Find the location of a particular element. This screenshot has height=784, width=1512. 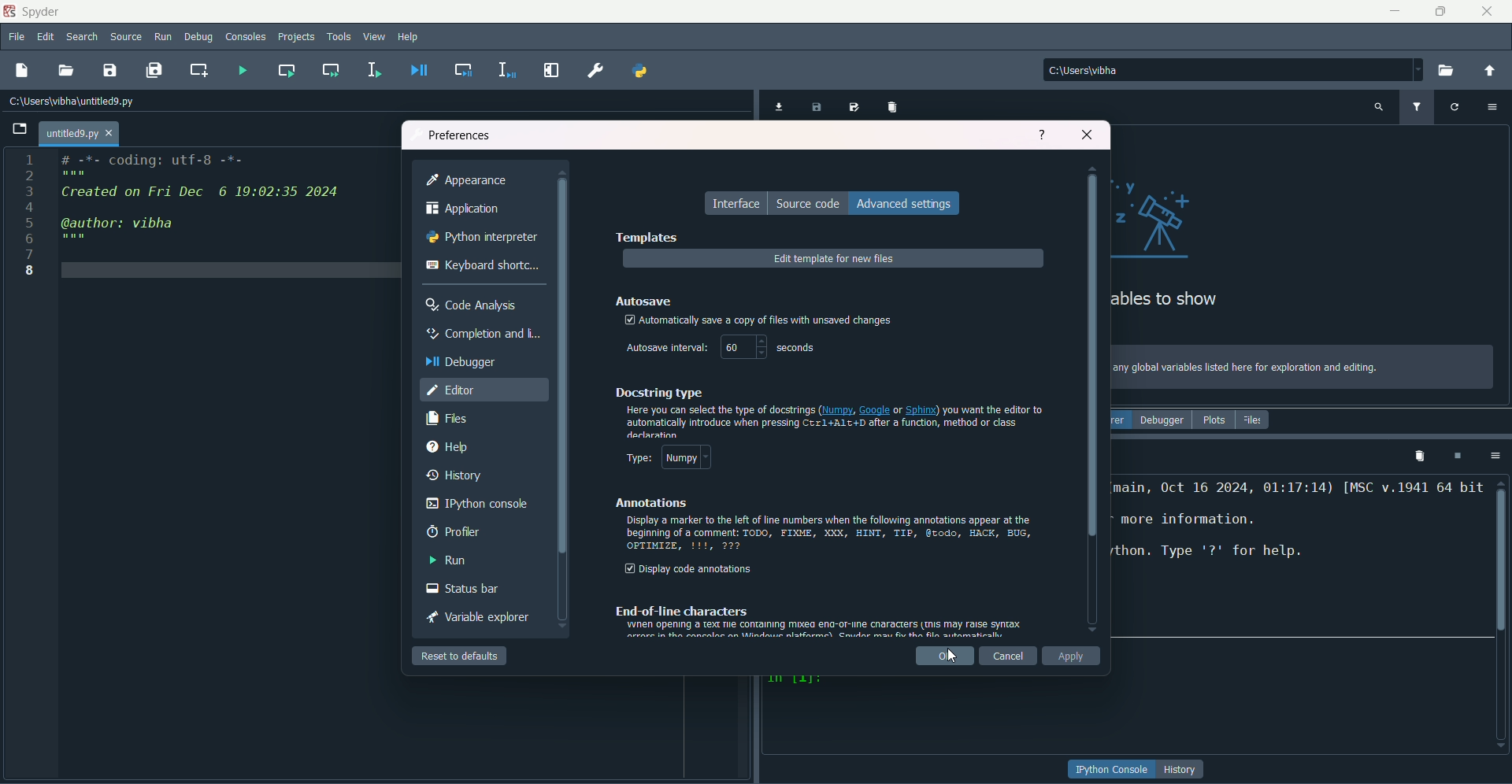

profiler is located at coordinates (450, 533).